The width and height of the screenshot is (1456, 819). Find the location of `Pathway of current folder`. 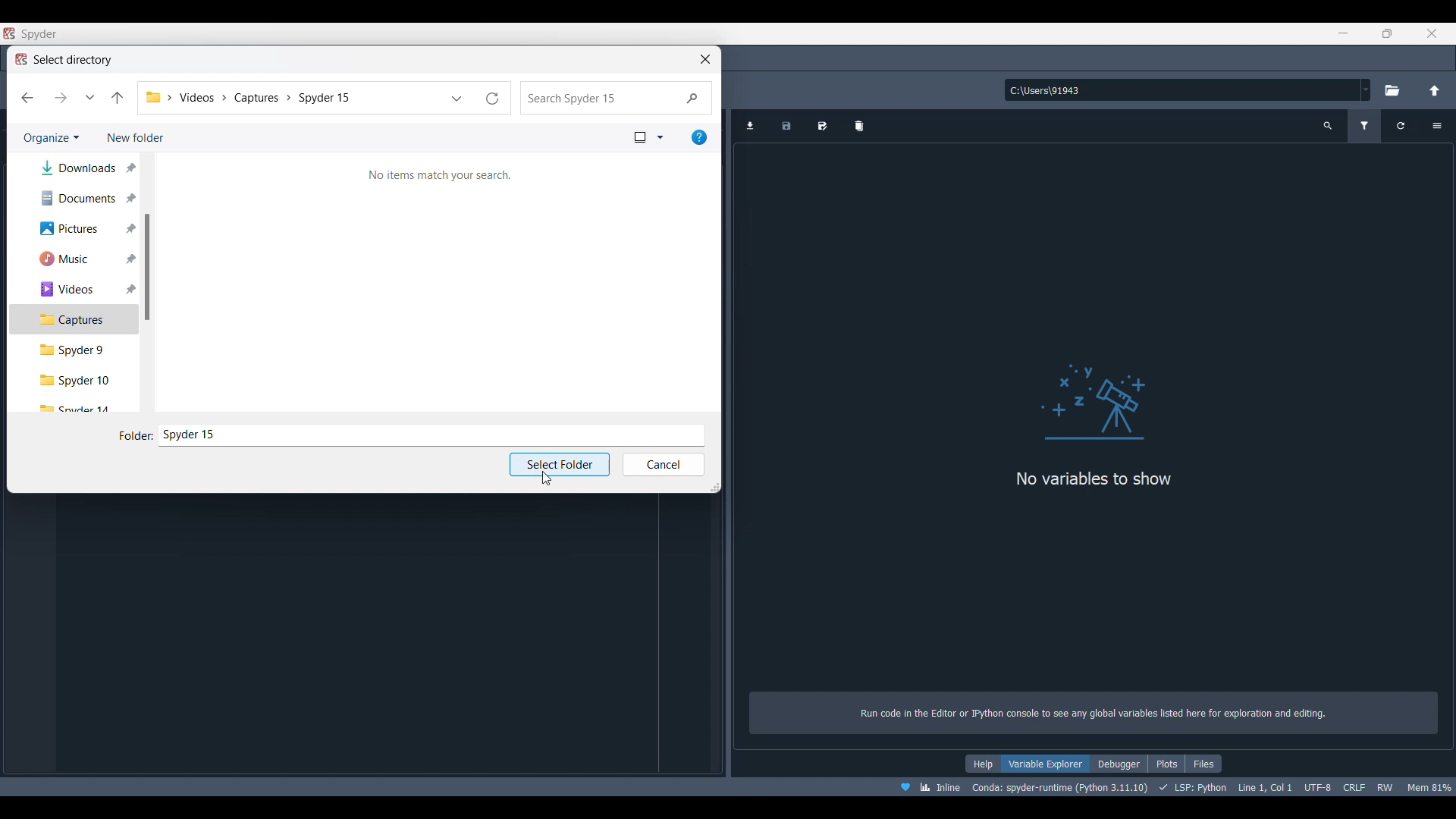

Pathway of current folder is located at coordinates (293, 98).